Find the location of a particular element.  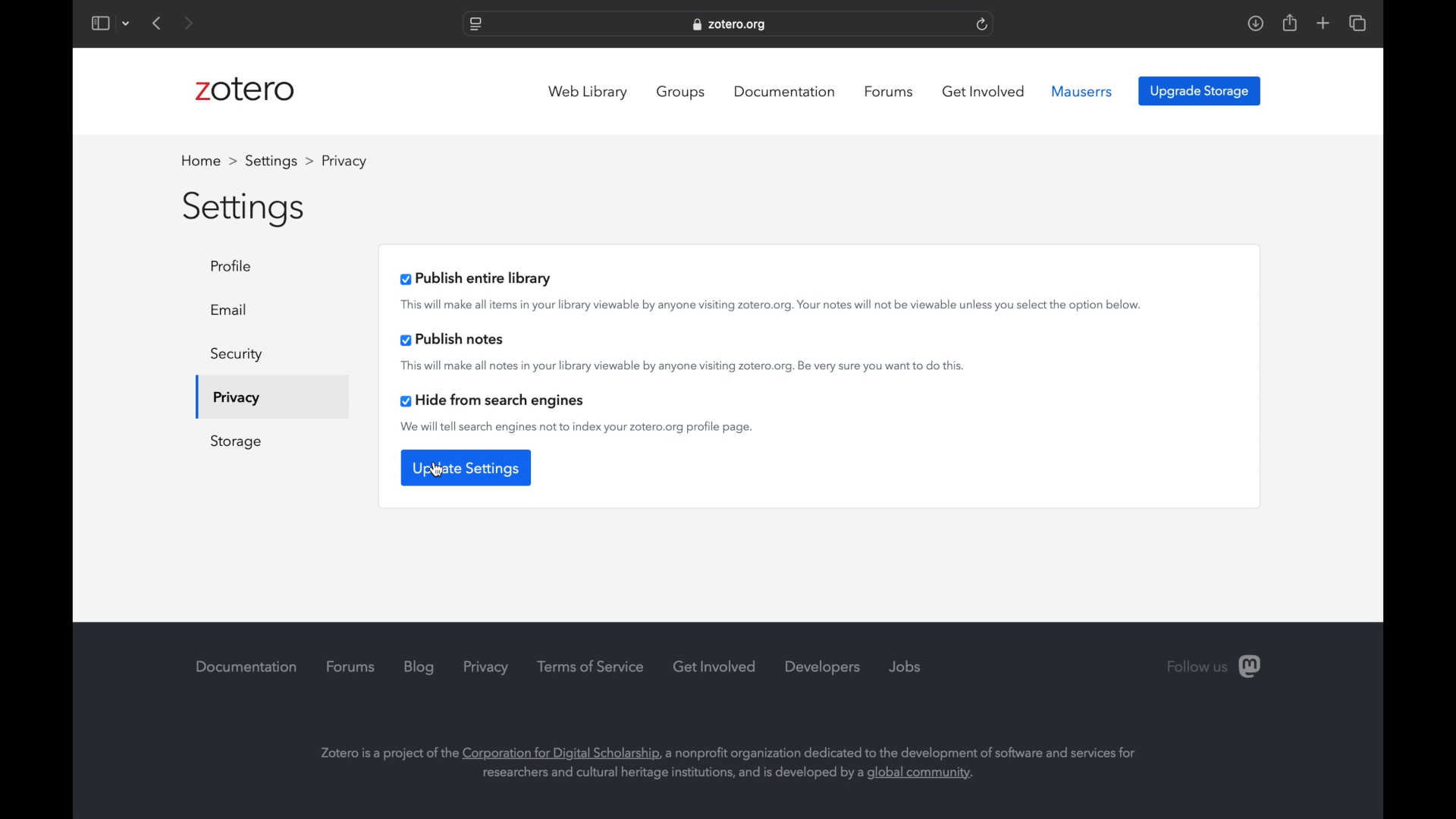

publish entire library is located at coordinates (477, 278).